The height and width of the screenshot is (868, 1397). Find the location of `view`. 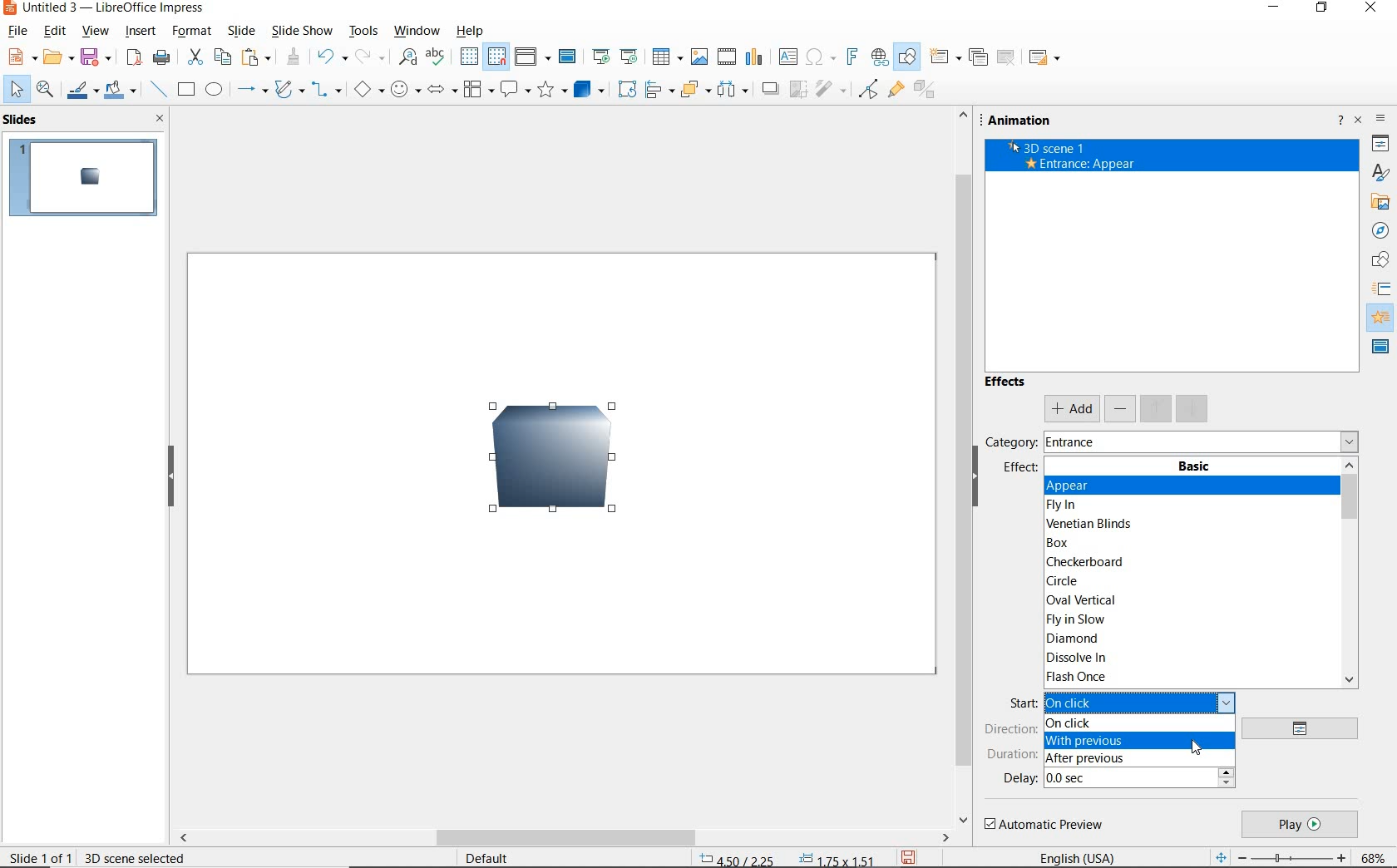

view is located at coordinates (96, 32).